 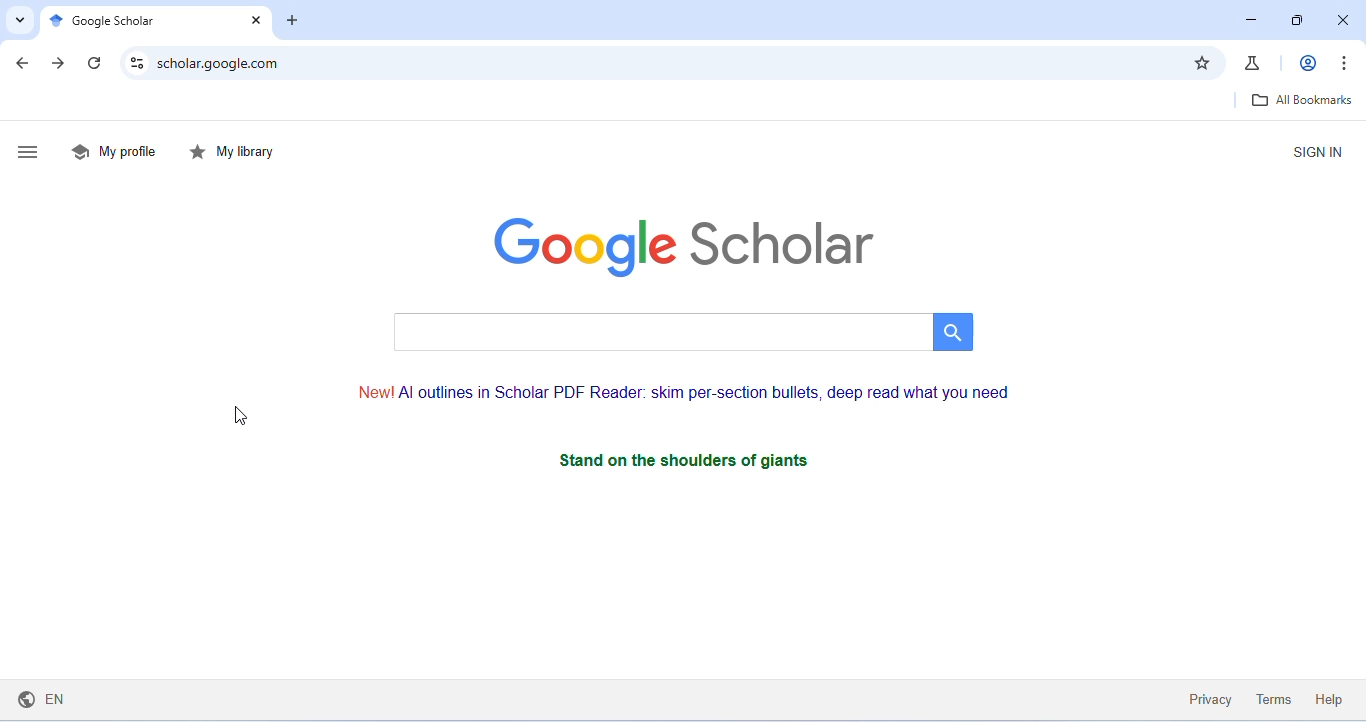 What do you see at coordinates (1317, 152) in the screenshot?
I see `sign in` at bounding box center [1317, 152].